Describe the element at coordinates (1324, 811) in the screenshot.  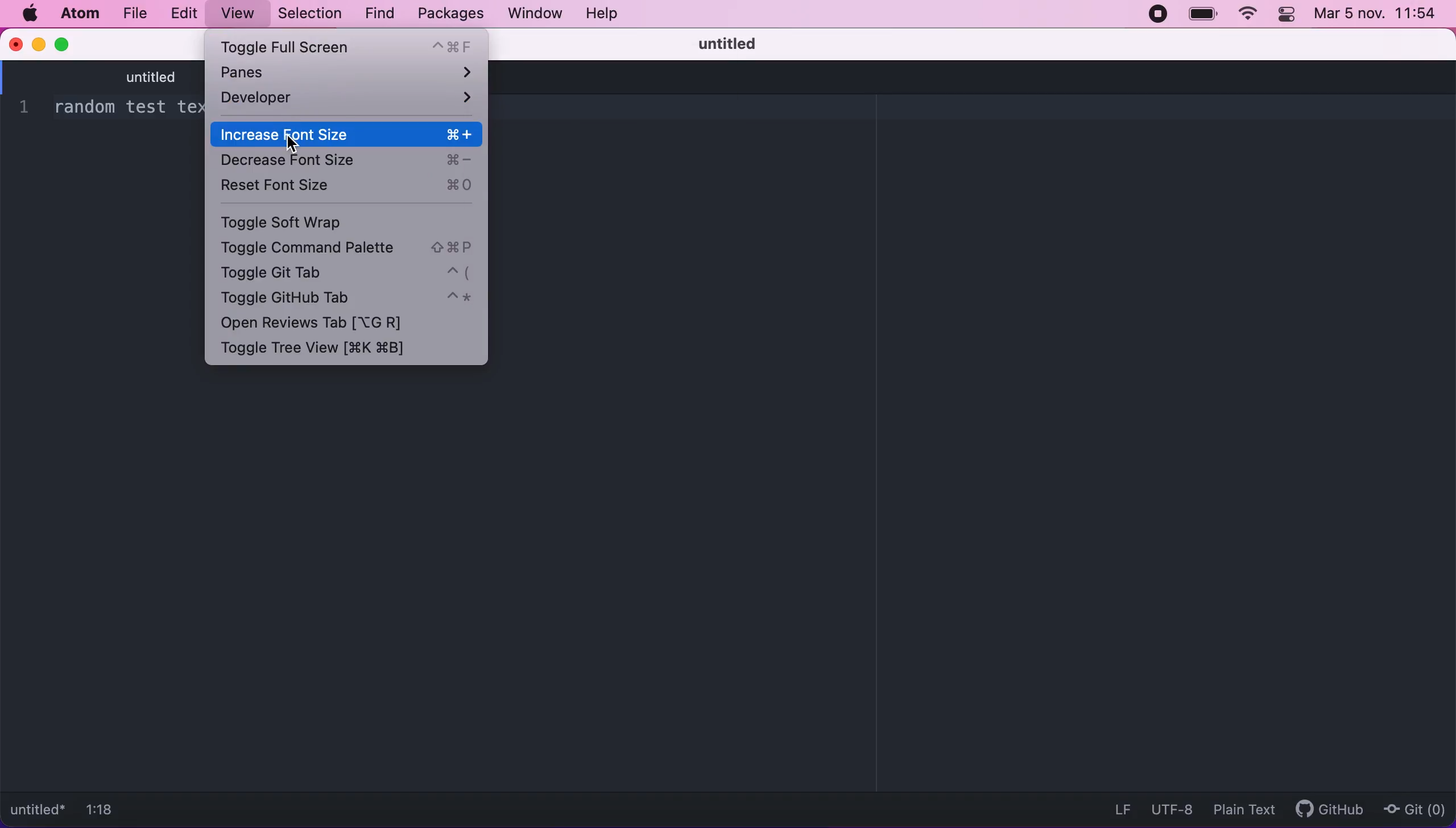
I see `github` at that location.